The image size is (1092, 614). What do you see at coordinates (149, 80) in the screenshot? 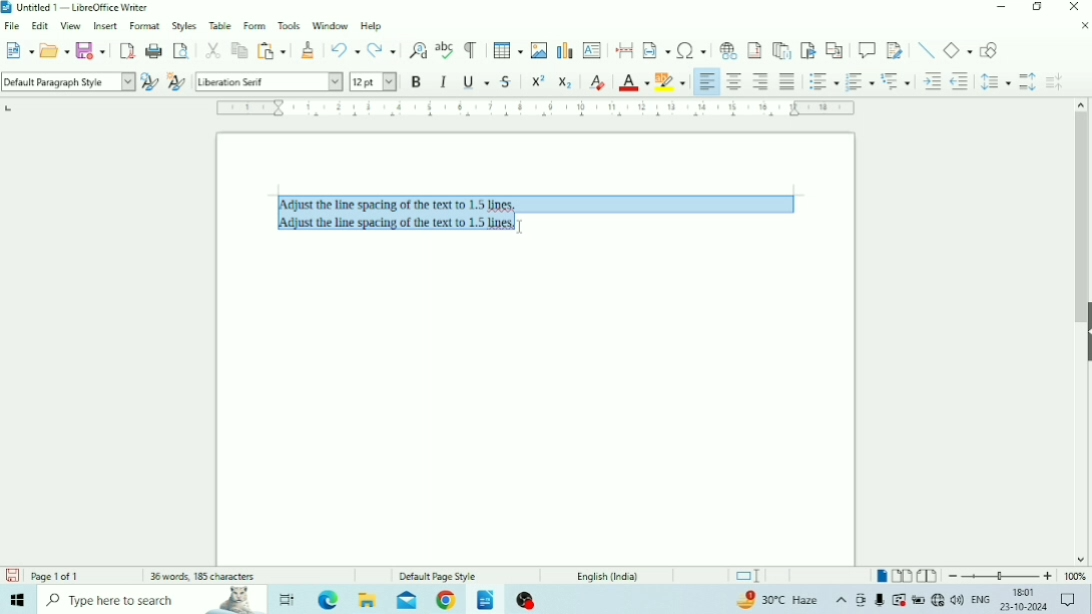
I see `Update Selected Style` at bounding box center [149, 80].